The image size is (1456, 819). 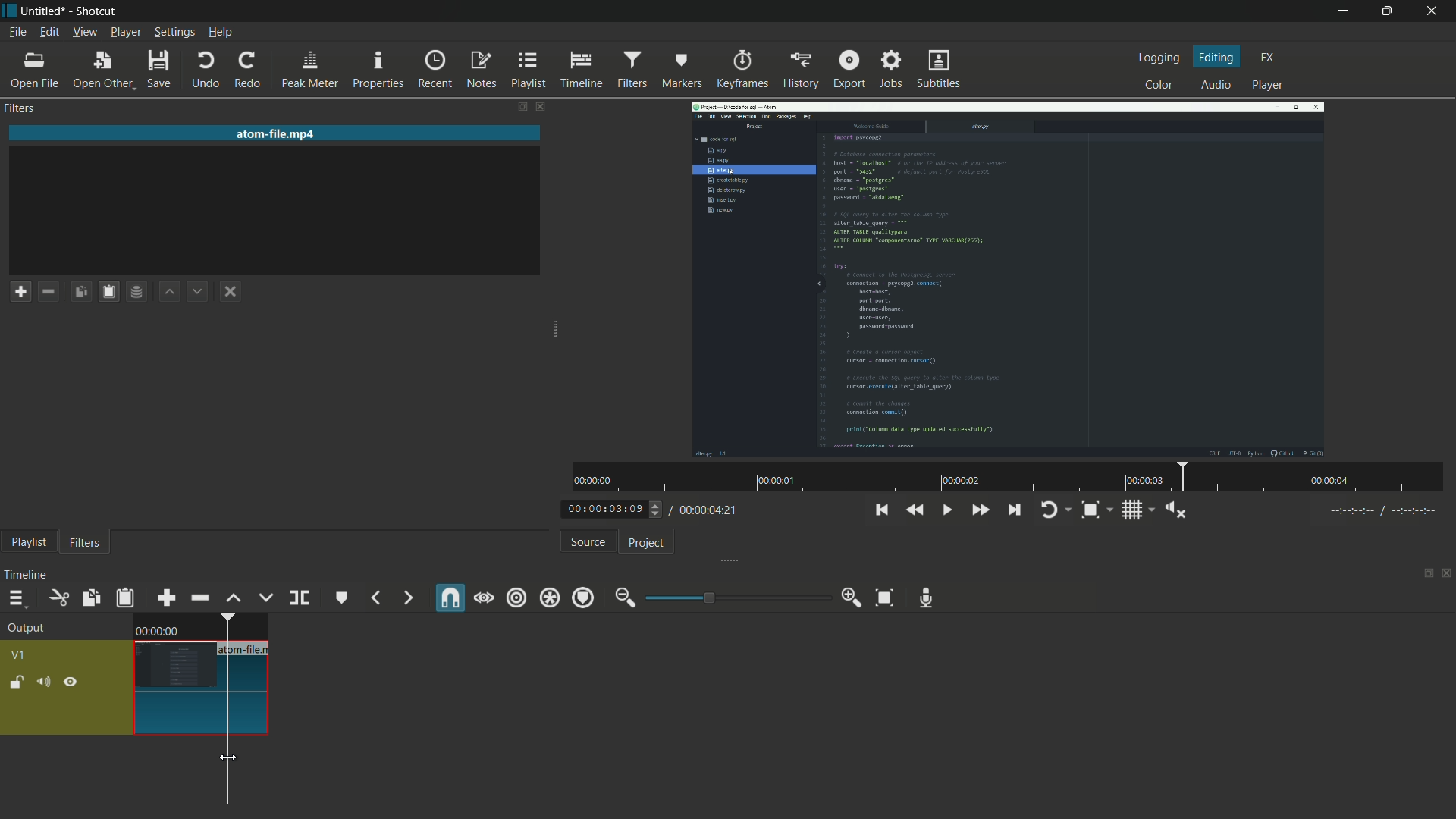 What do you see at coordinates (310, 71) in the screenshot?
I see `peak meter` at bounding box center [310, 71].